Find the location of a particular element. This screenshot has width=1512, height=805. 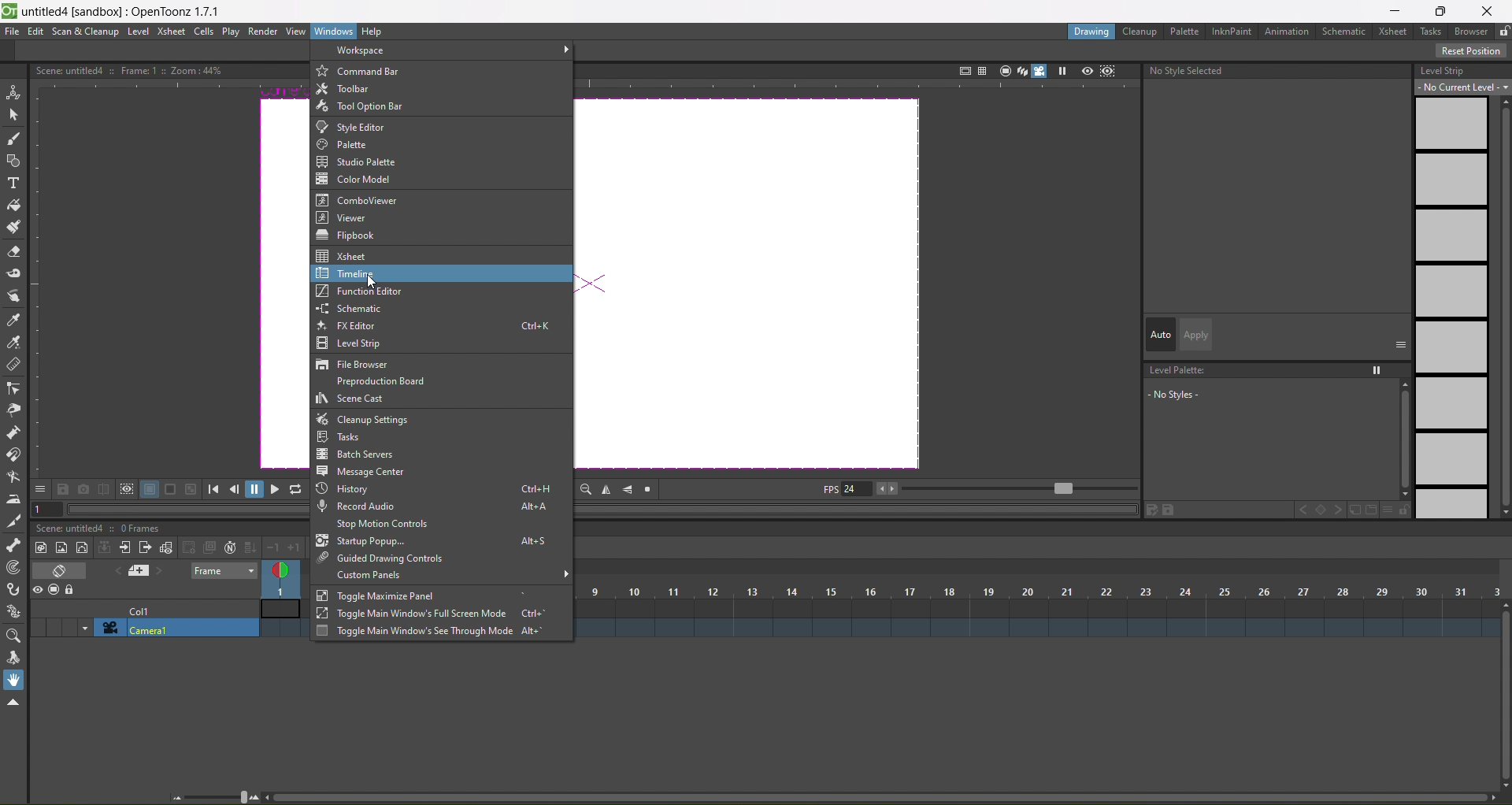

flip horizontally is located at coordinates (606, 491).